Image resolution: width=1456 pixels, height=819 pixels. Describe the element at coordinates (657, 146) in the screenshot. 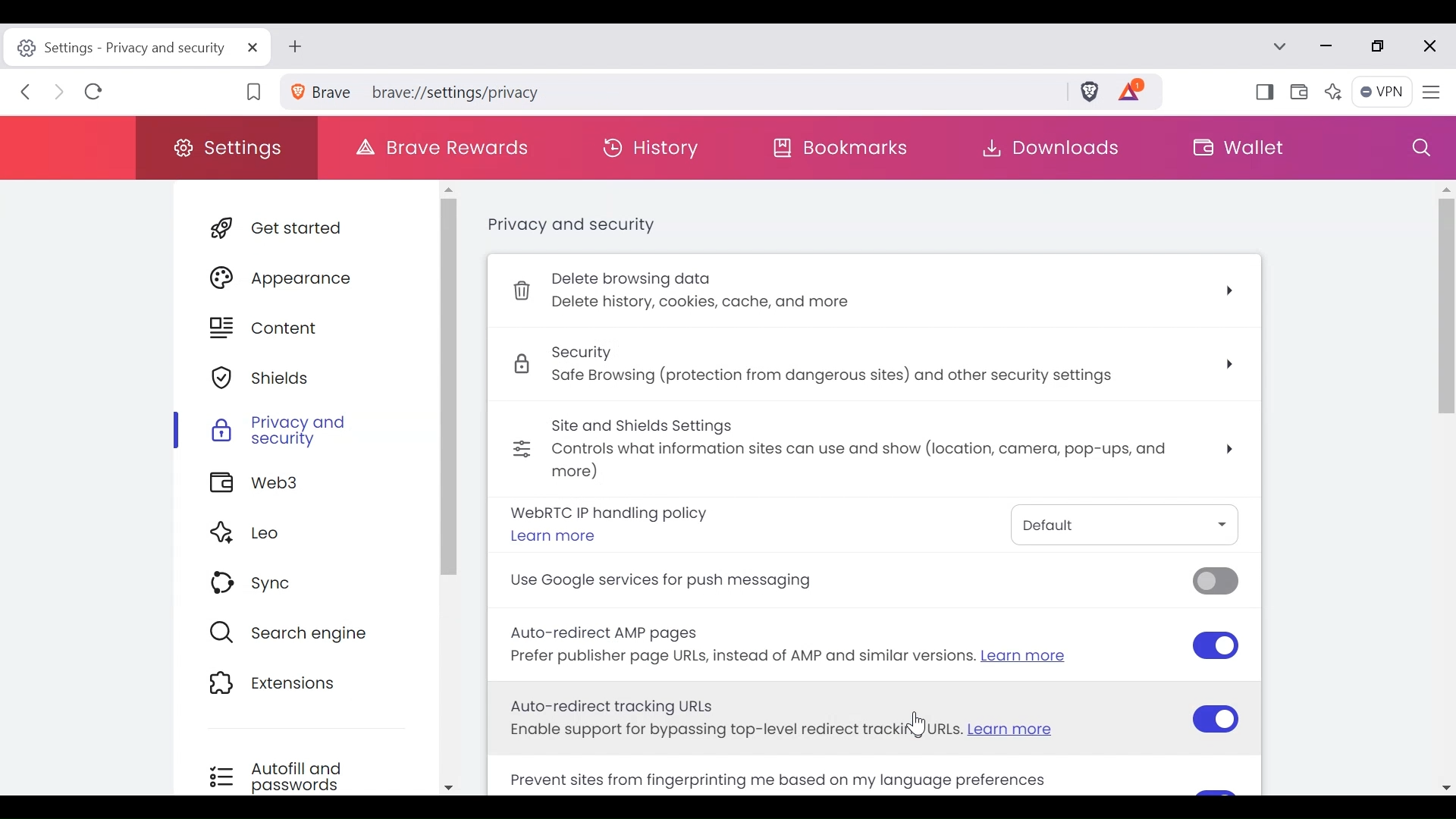

I see `History` at that location.